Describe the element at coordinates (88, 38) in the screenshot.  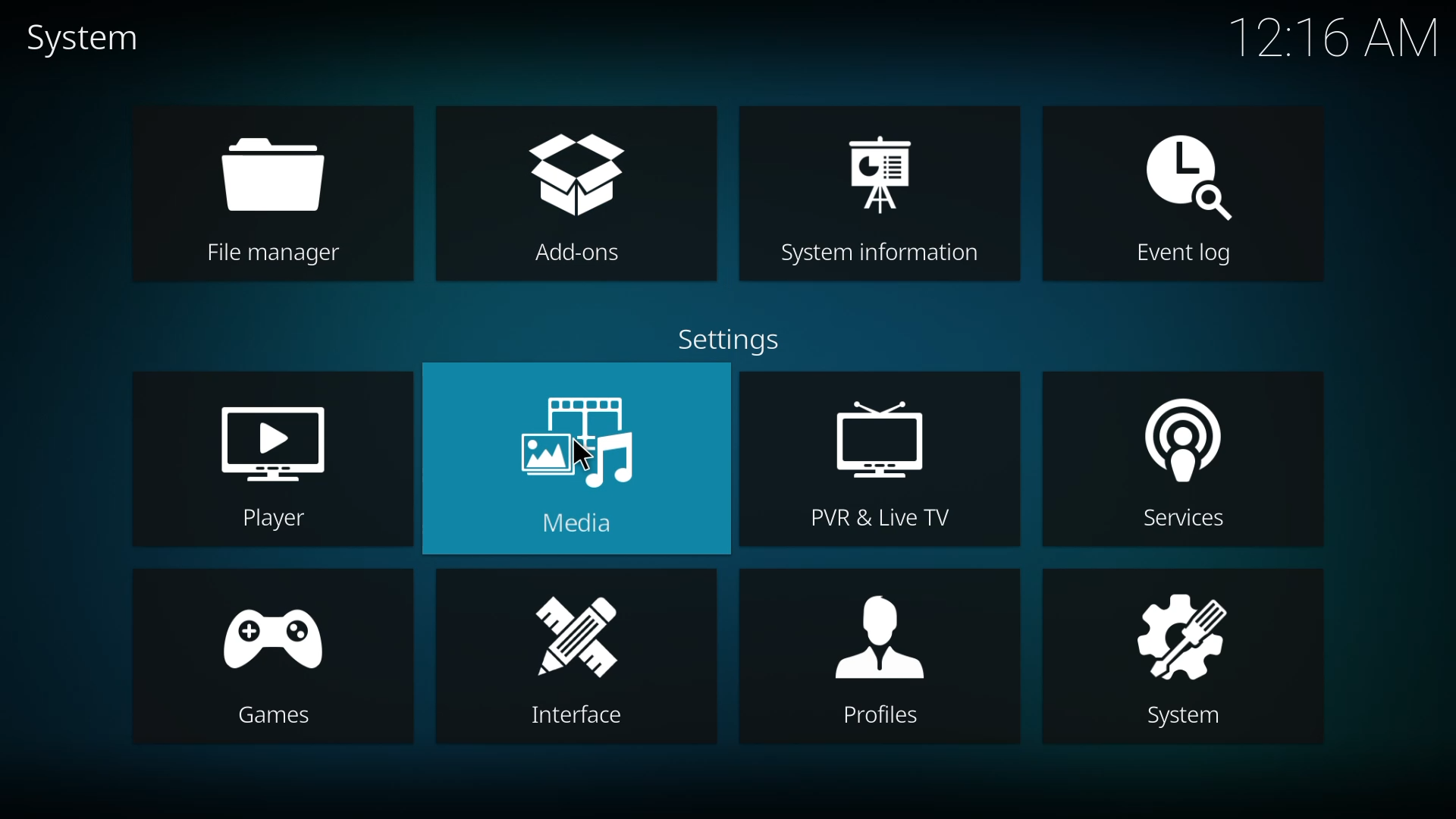
I see `system` at that location.